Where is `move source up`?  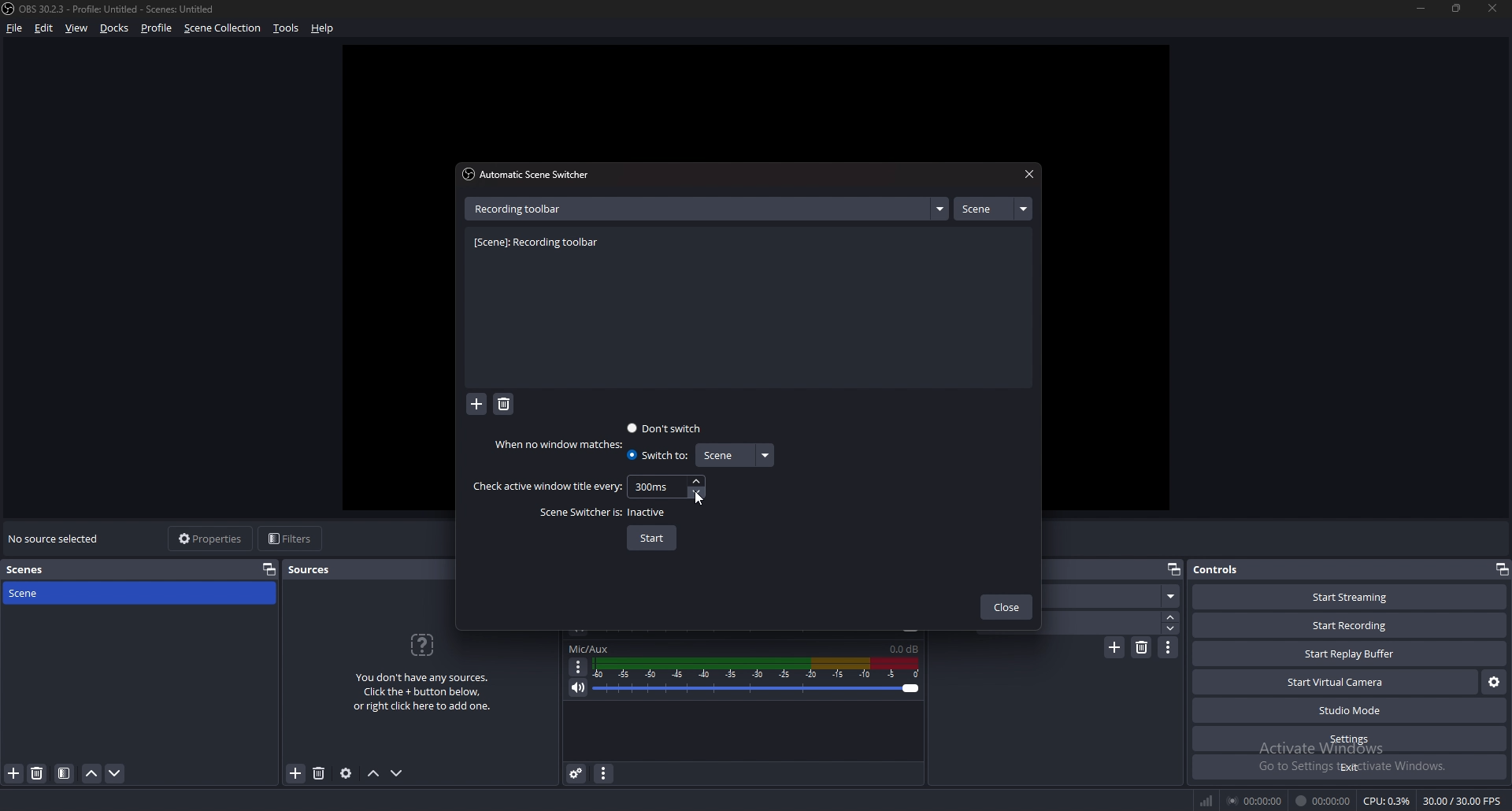 move source up is located at coordinates (373, 774).